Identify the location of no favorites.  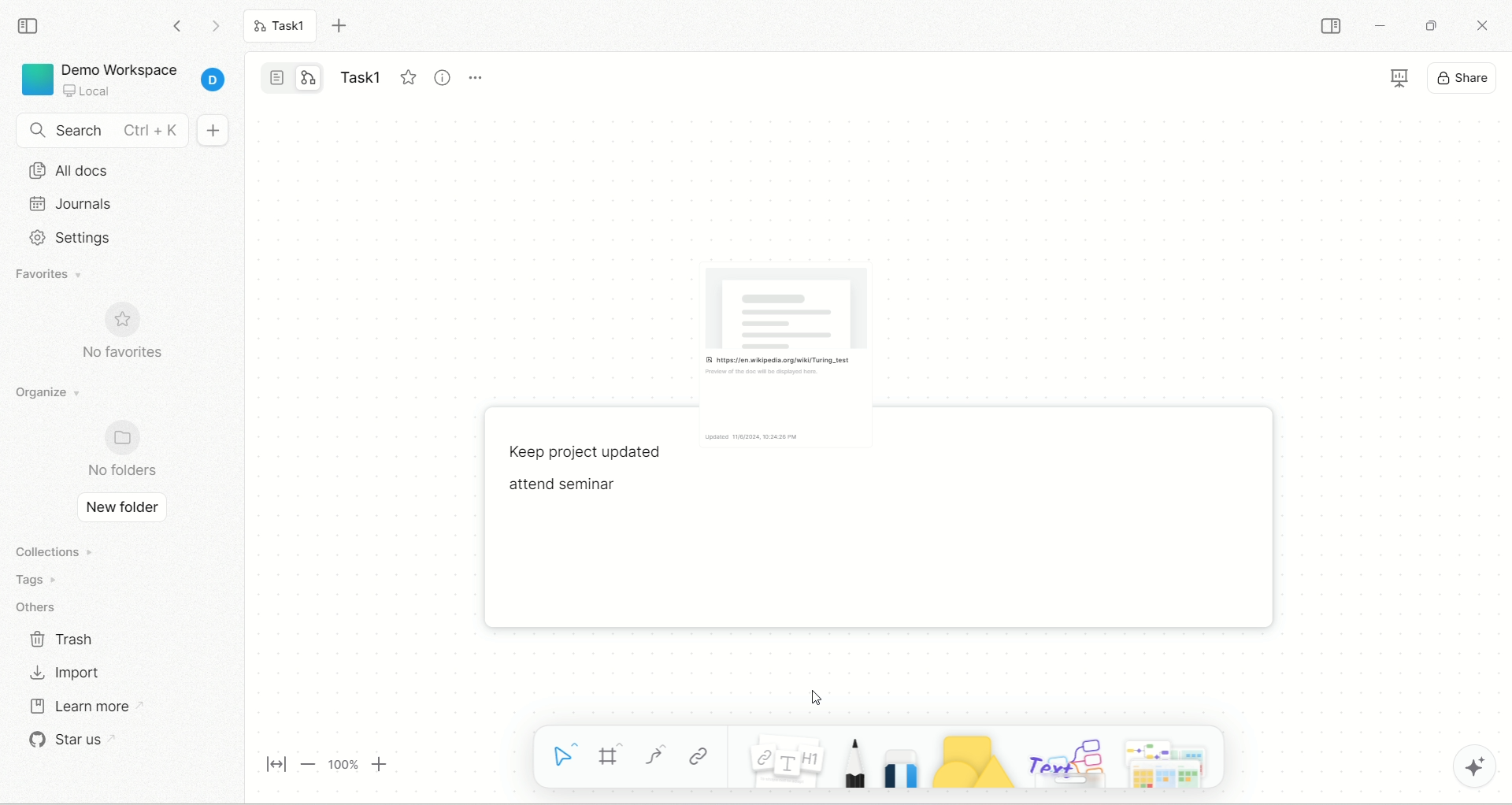
(135, 335).